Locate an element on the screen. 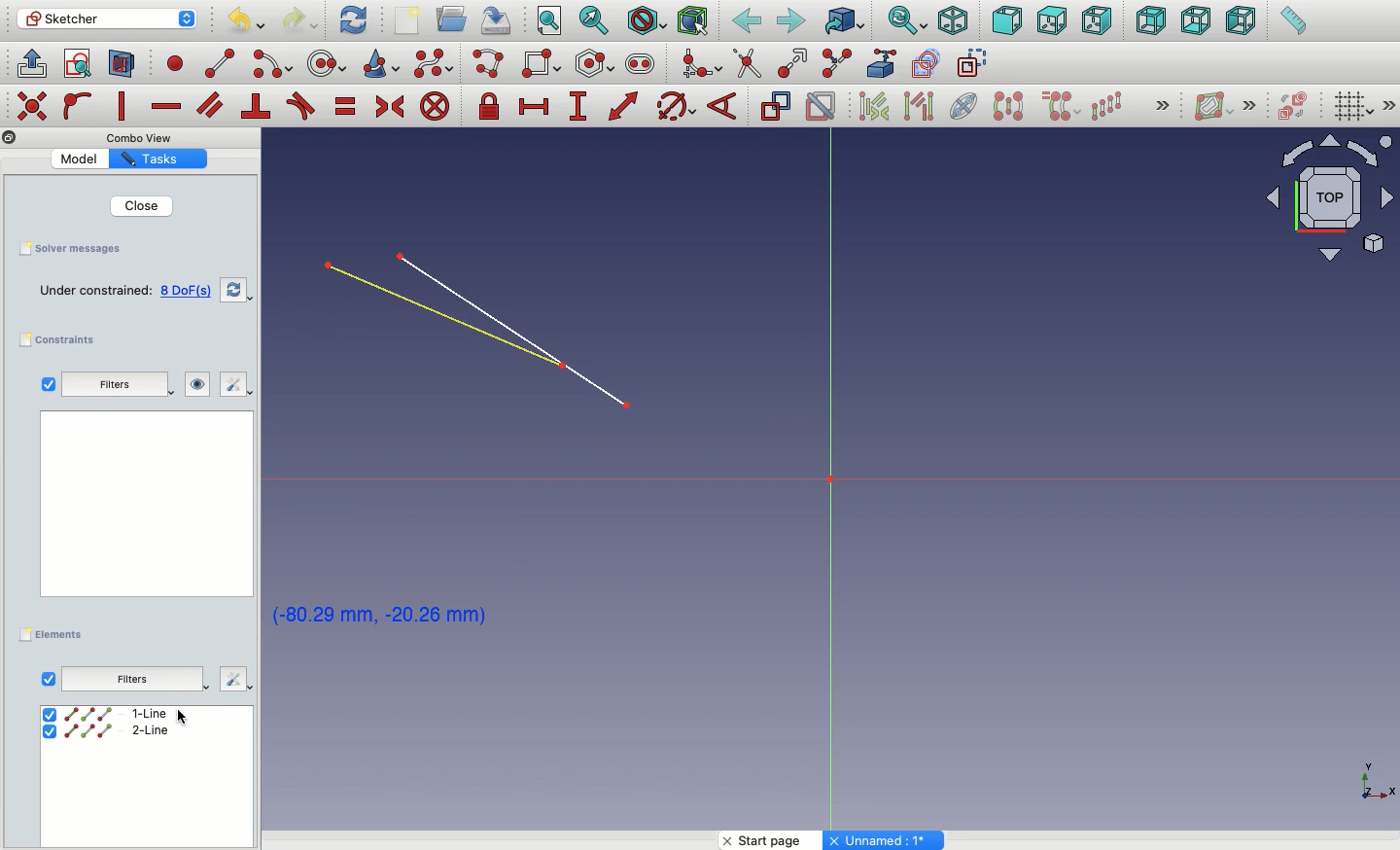  Axis is located at coordinates (831, 485).